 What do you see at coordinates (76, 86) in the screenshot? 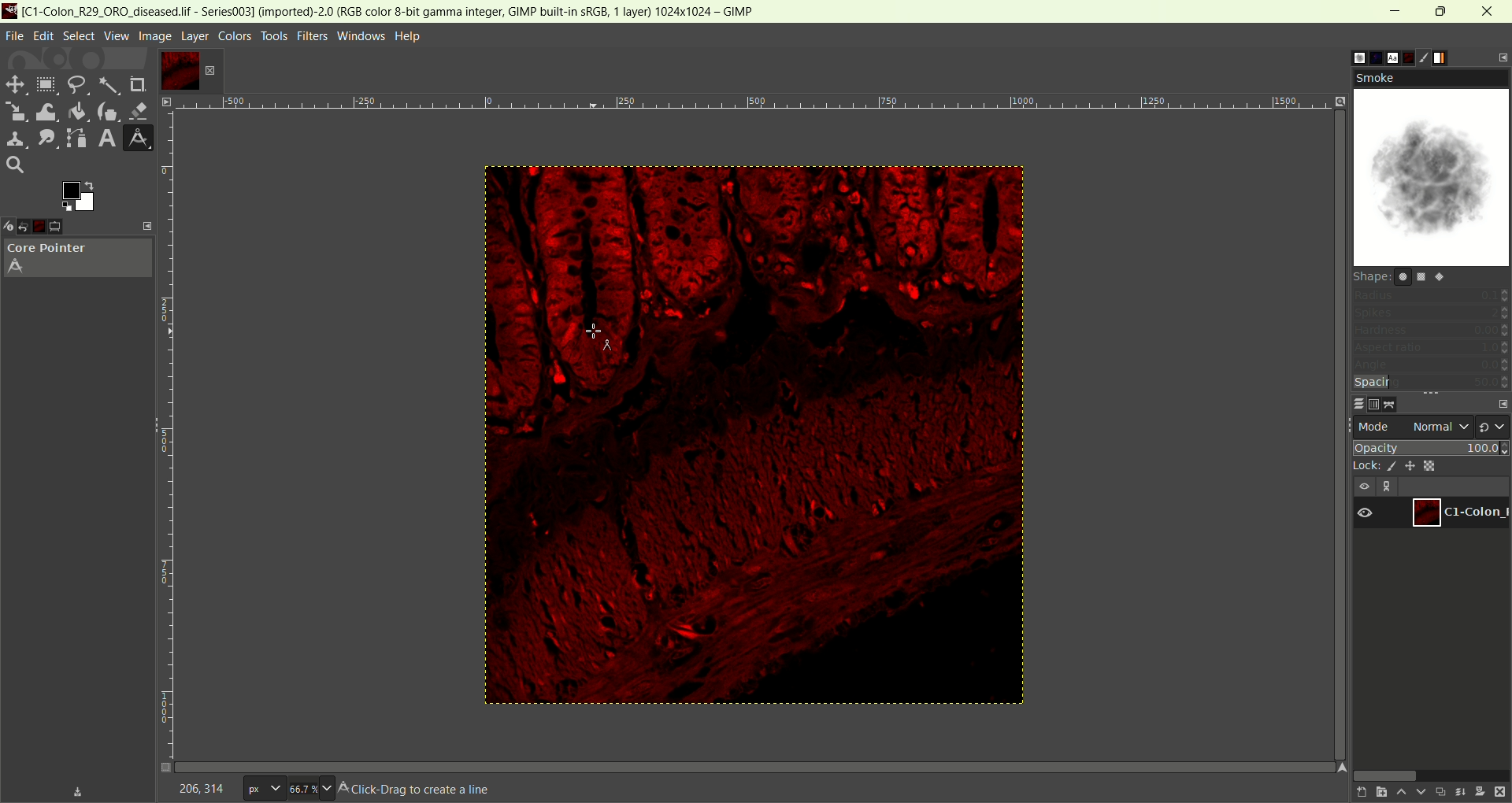
I see `free select tool` at bounding box center [76, 86].